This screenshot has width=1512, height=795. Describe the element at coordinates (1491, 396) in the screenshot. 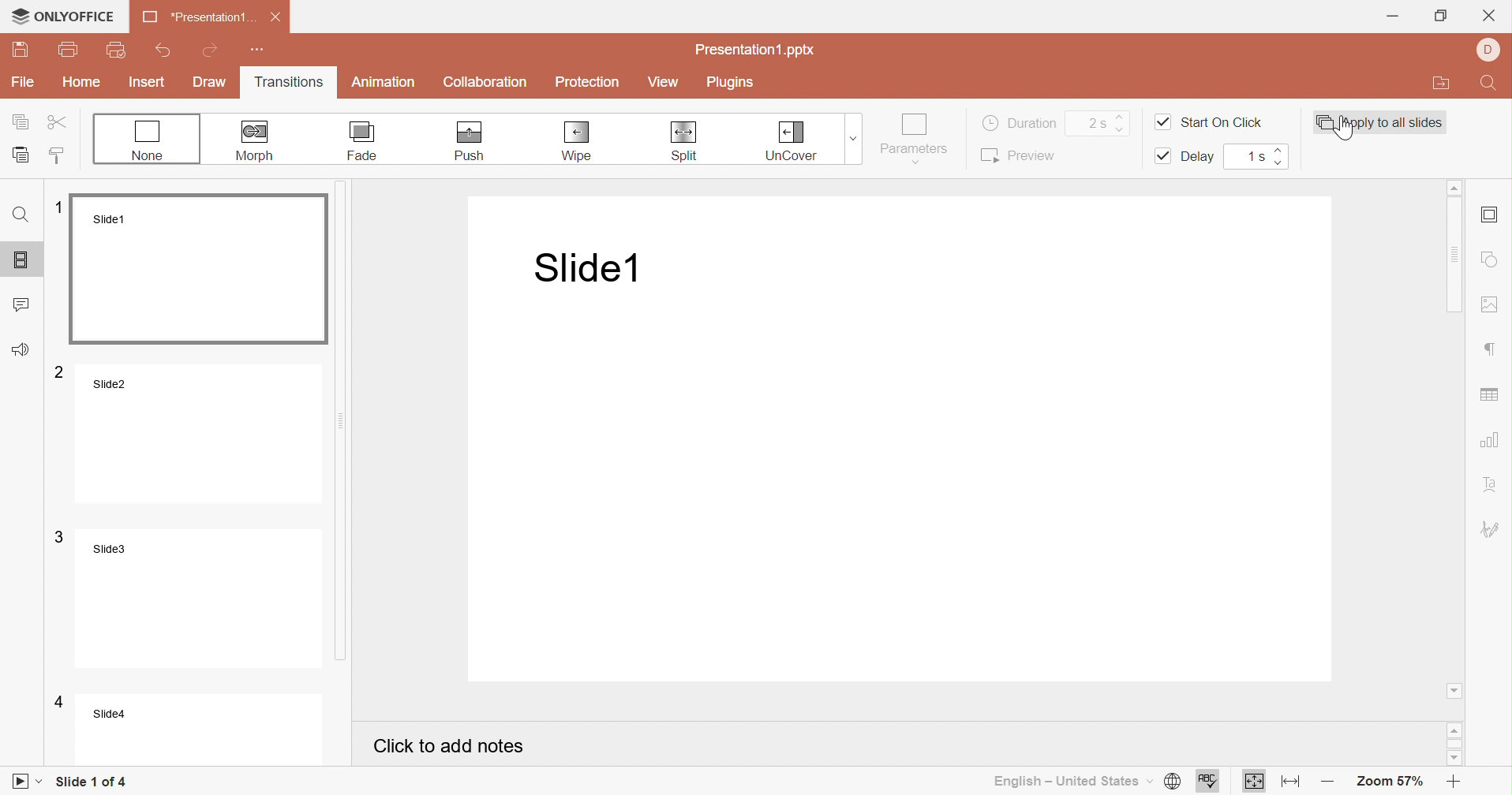

I see `Insert table` at that location.